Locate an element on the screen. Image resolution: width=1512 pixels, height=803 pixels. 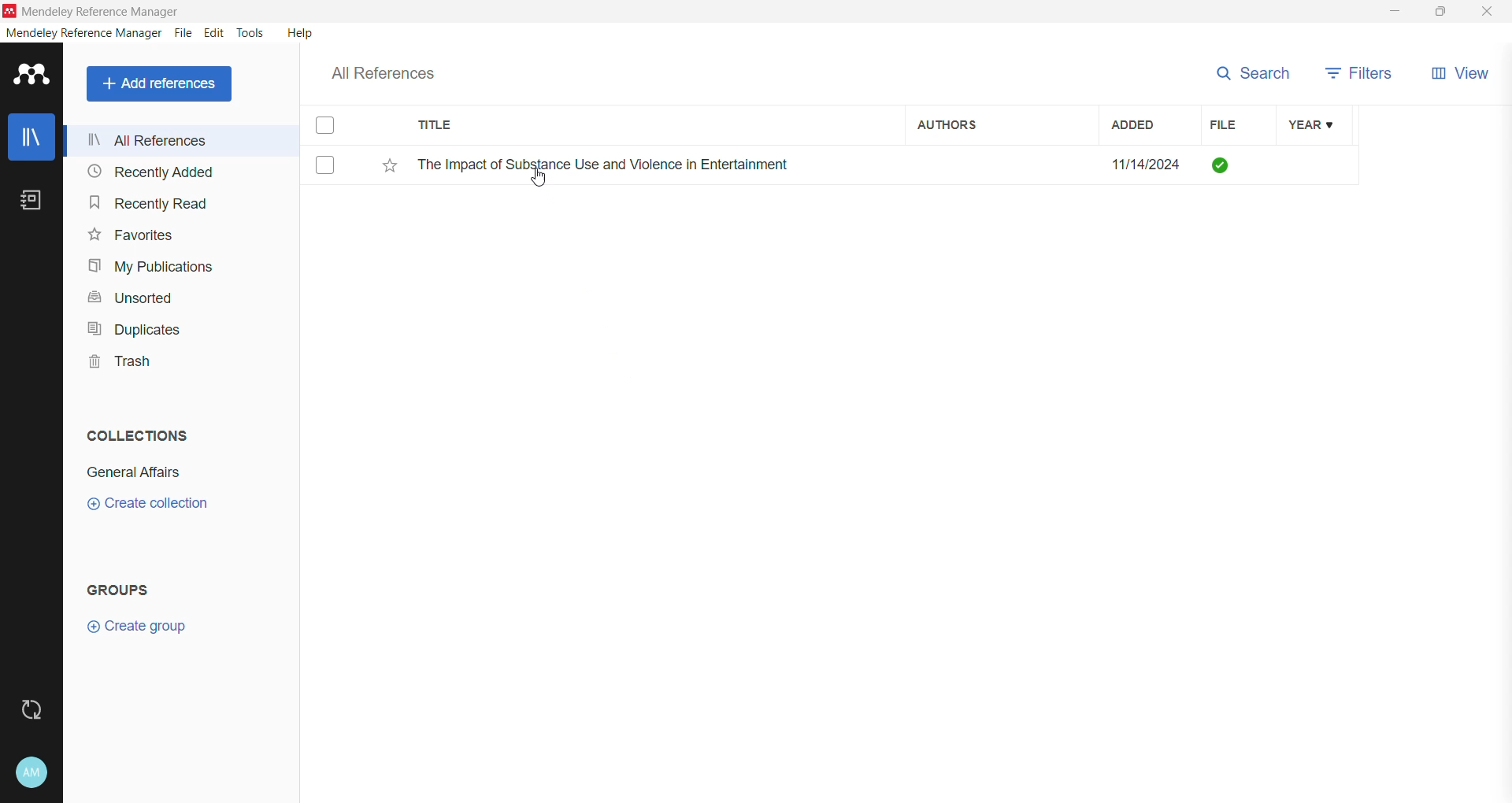
Edit is located at coordinates (214, 33).